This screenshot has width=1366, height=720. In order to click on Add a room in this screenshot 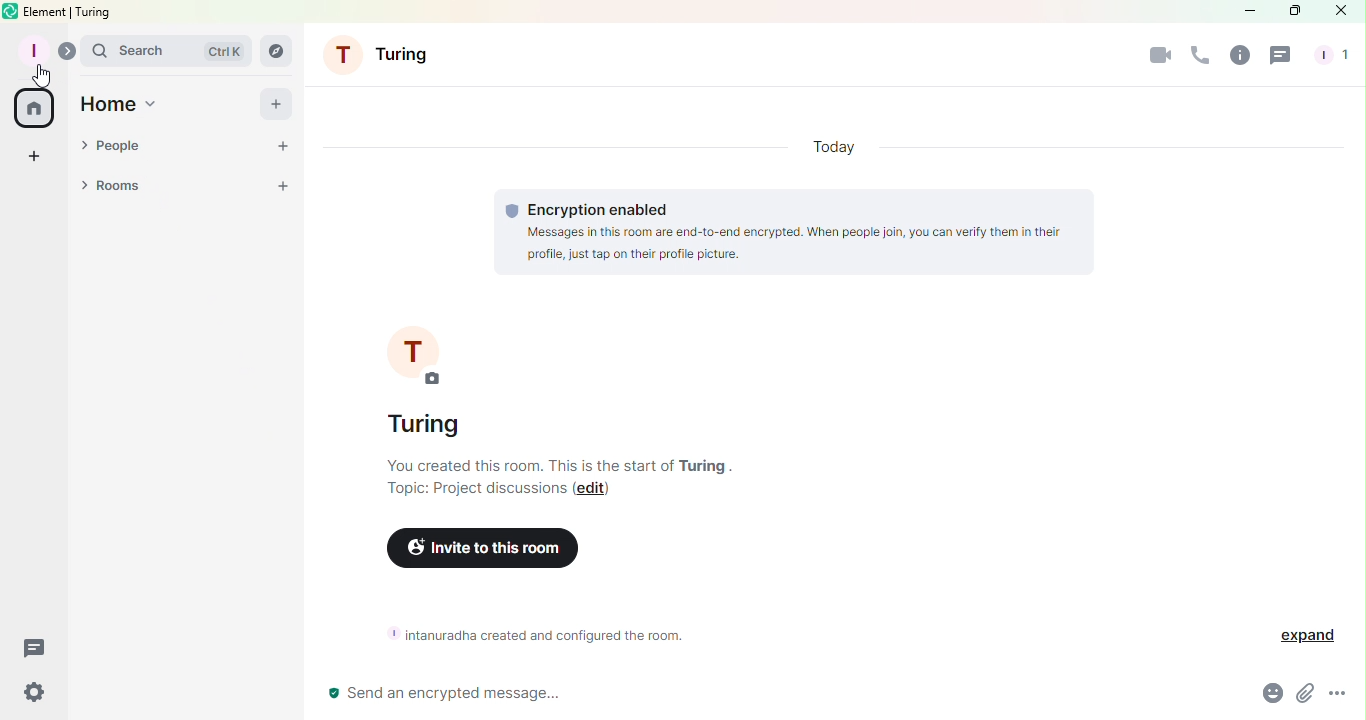, I will do `click(287, 188)`.